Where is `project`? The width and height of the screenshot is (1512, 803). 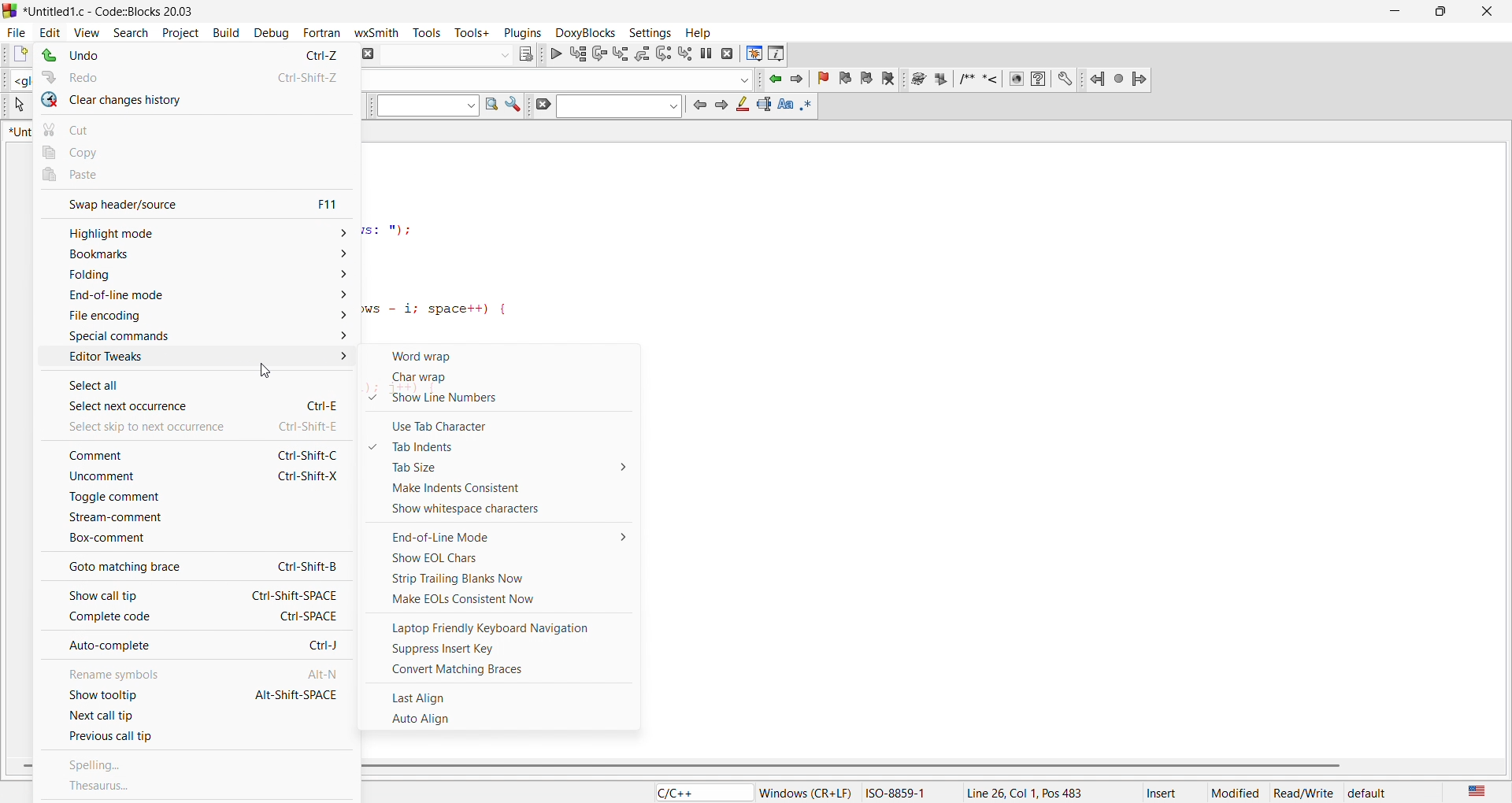
project is located at coordinates (180, 31).